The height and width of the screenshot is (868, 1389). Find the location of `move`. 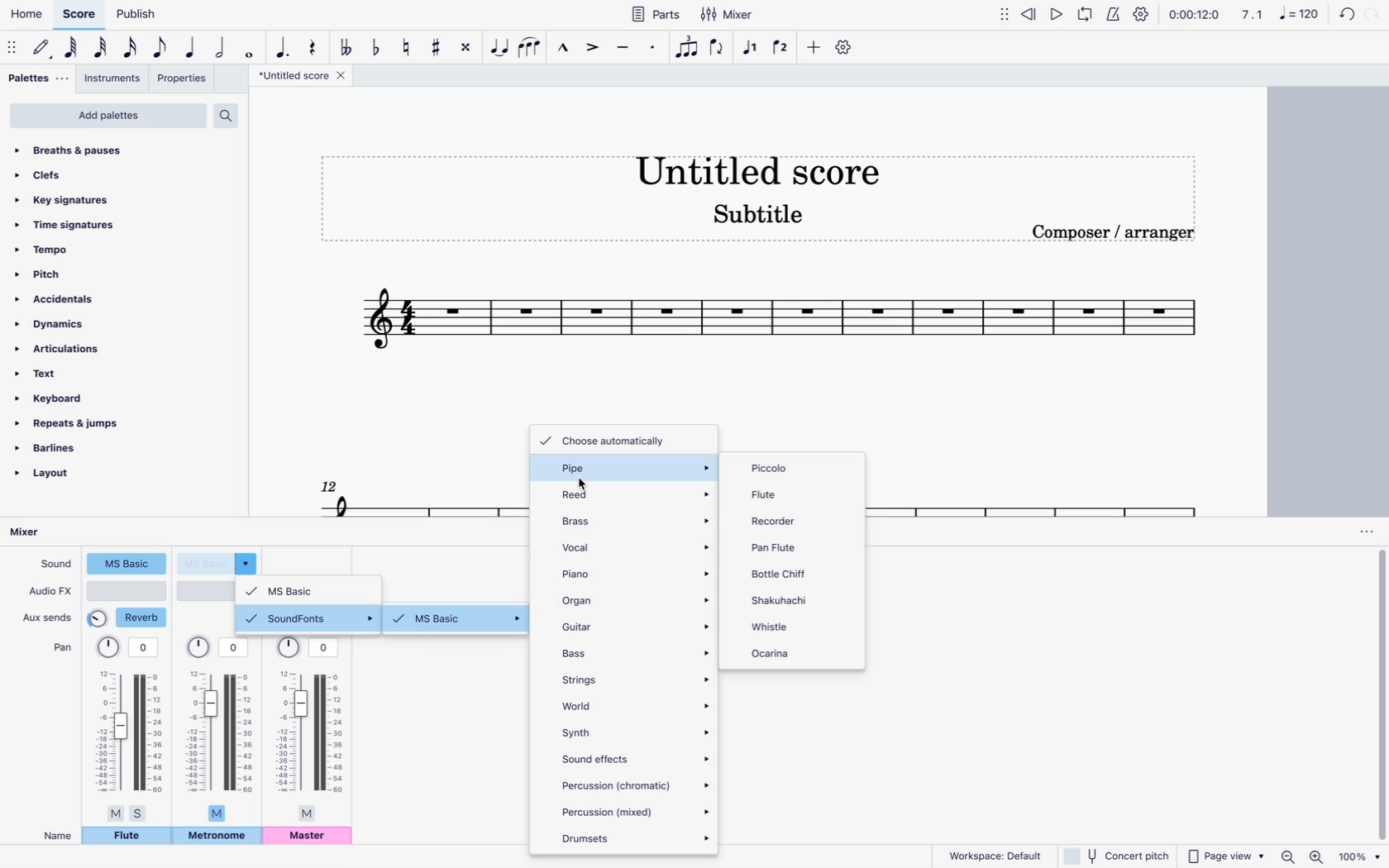

move is located at coordinates (1005, 18).